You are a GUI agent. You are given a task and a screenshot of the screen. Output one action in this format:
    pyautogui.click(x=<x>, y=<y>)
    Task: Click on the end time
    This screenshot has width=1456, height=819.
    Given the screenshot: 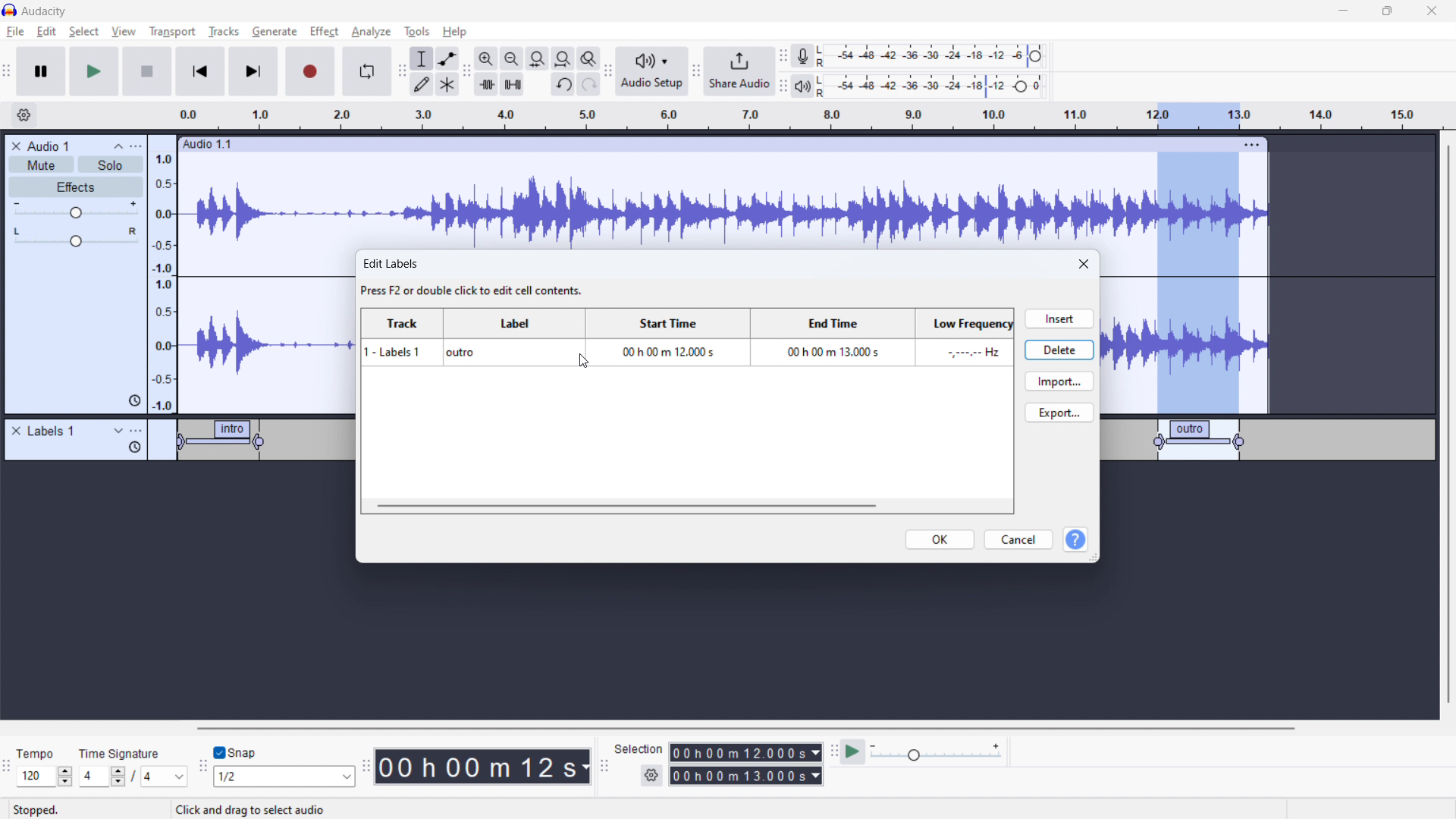 What is the action you would take?
    pyautogui.click(x=830, y=336)
    